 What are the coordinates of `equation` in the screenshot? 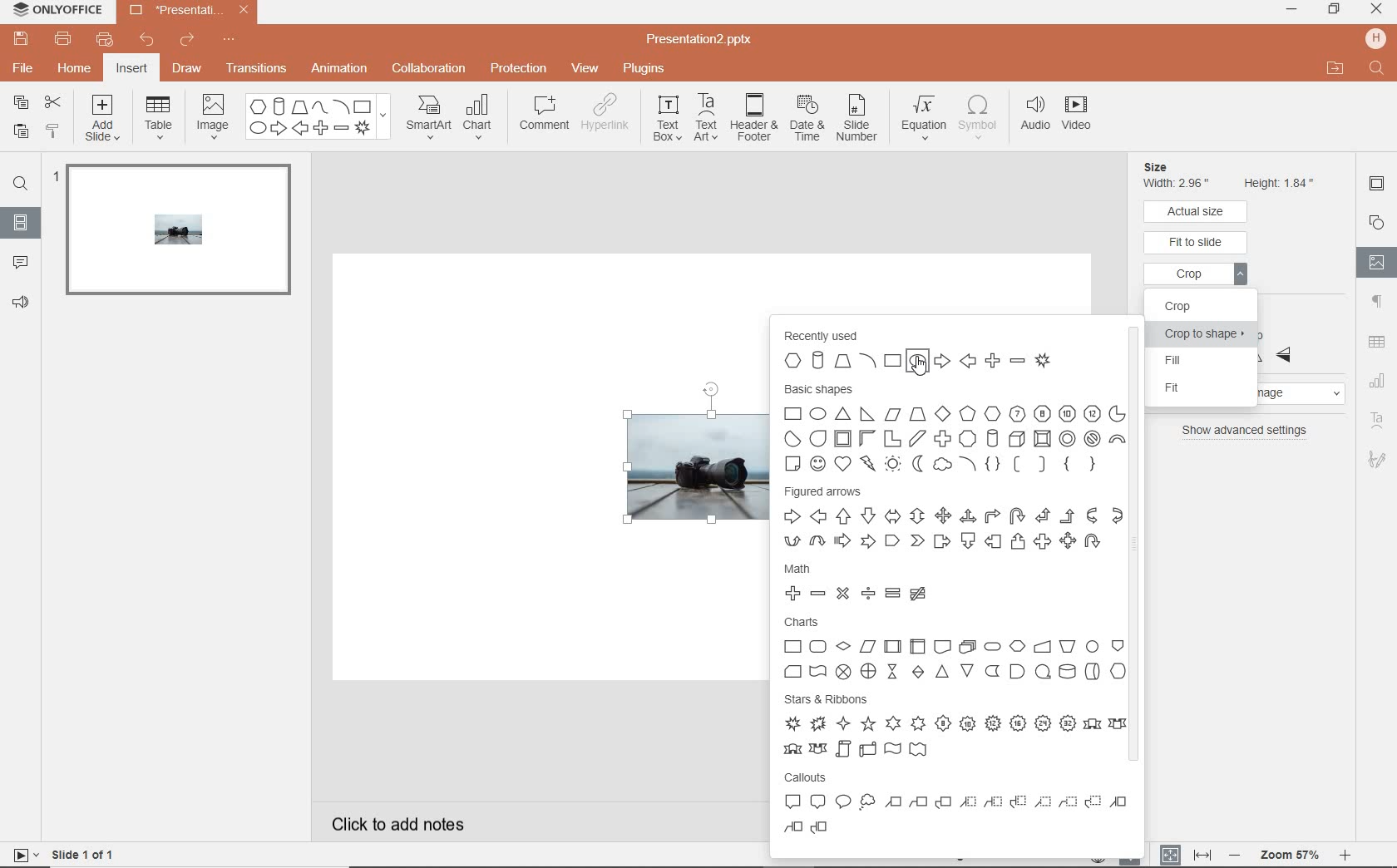 It's located at (925, 114).